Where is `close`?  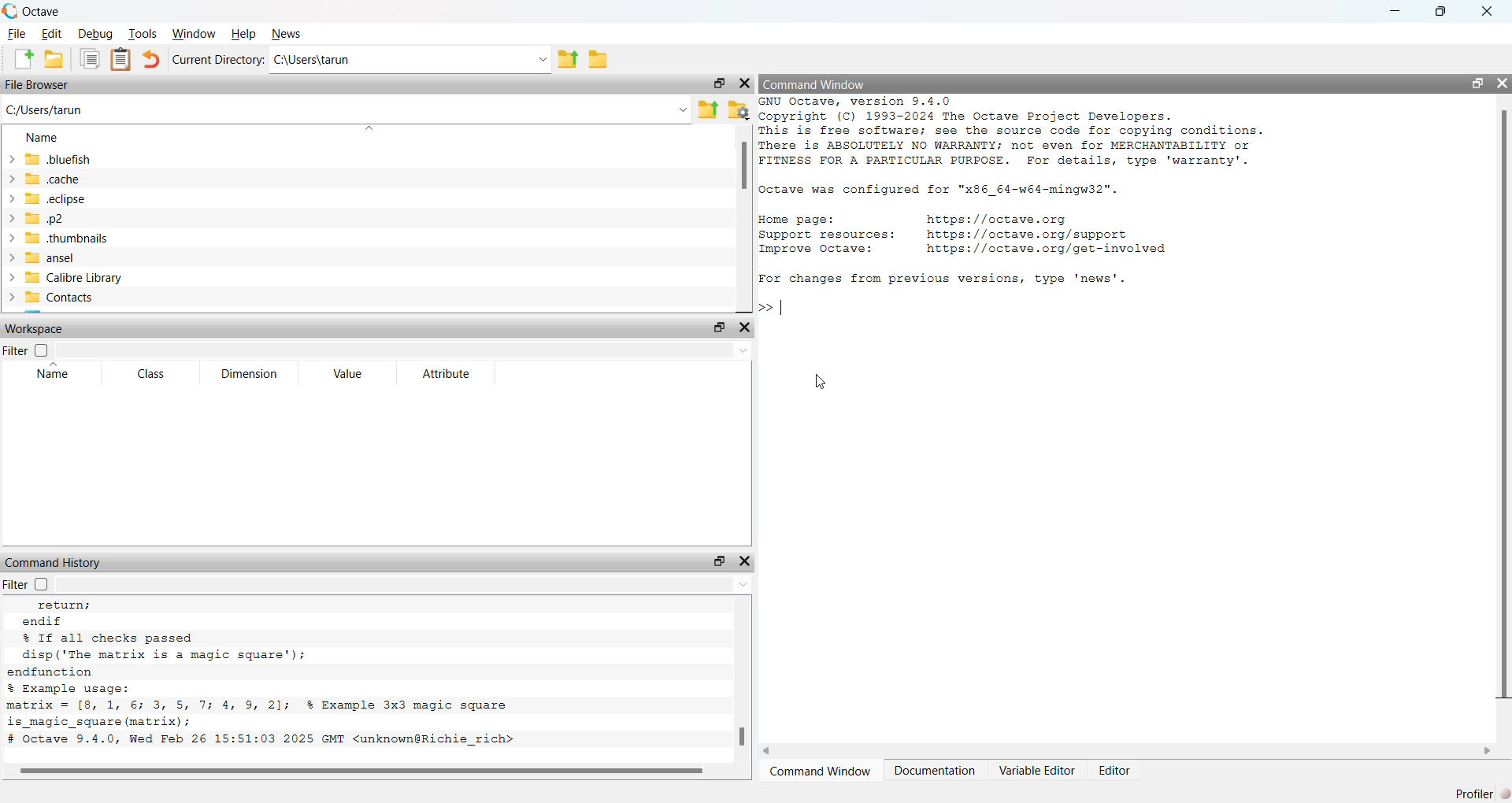 close is located at coordinates (747, 561).